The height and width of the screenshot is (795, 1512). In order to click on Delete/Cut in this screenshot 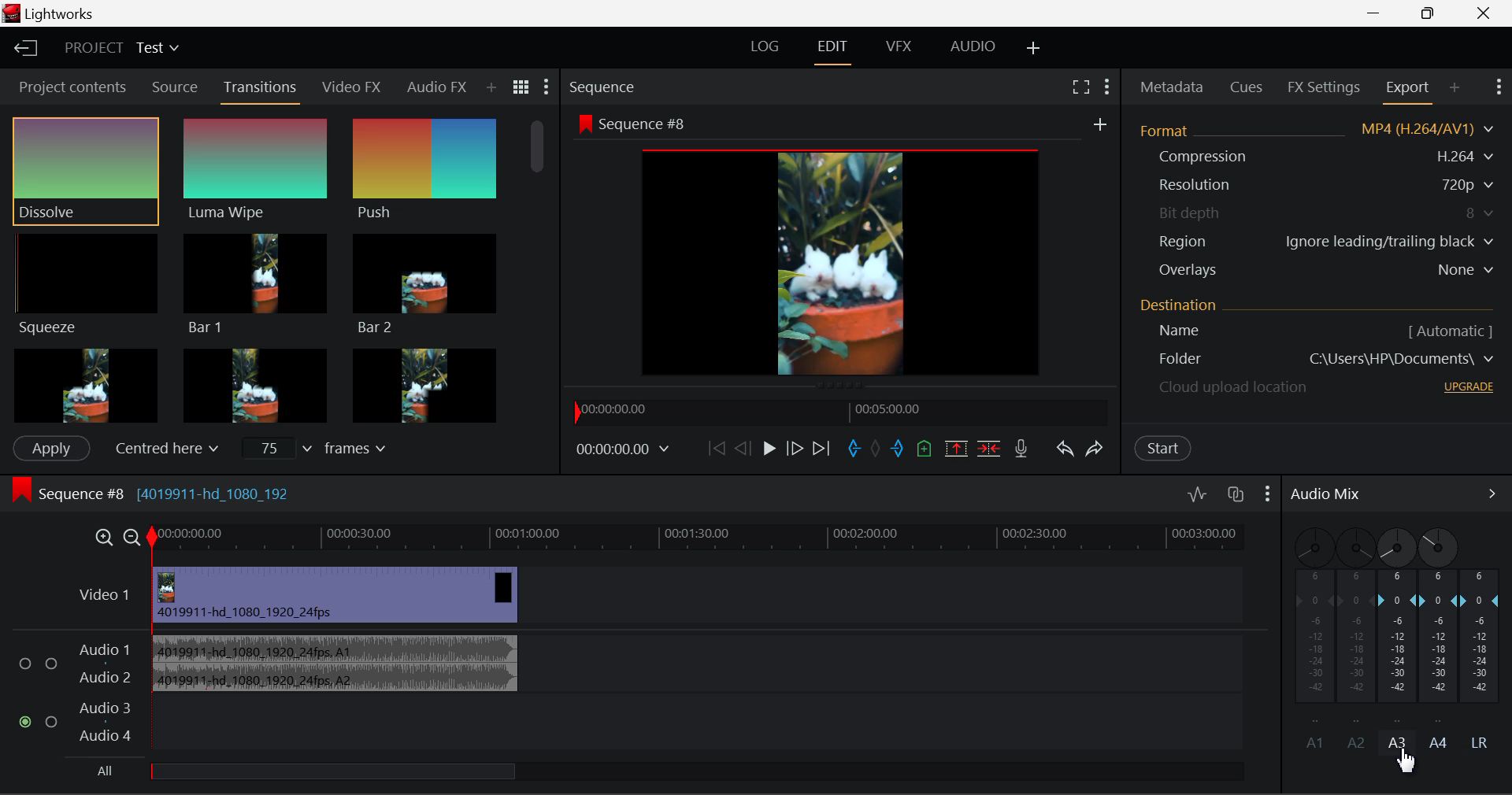, I will do `click(991, 447)`.